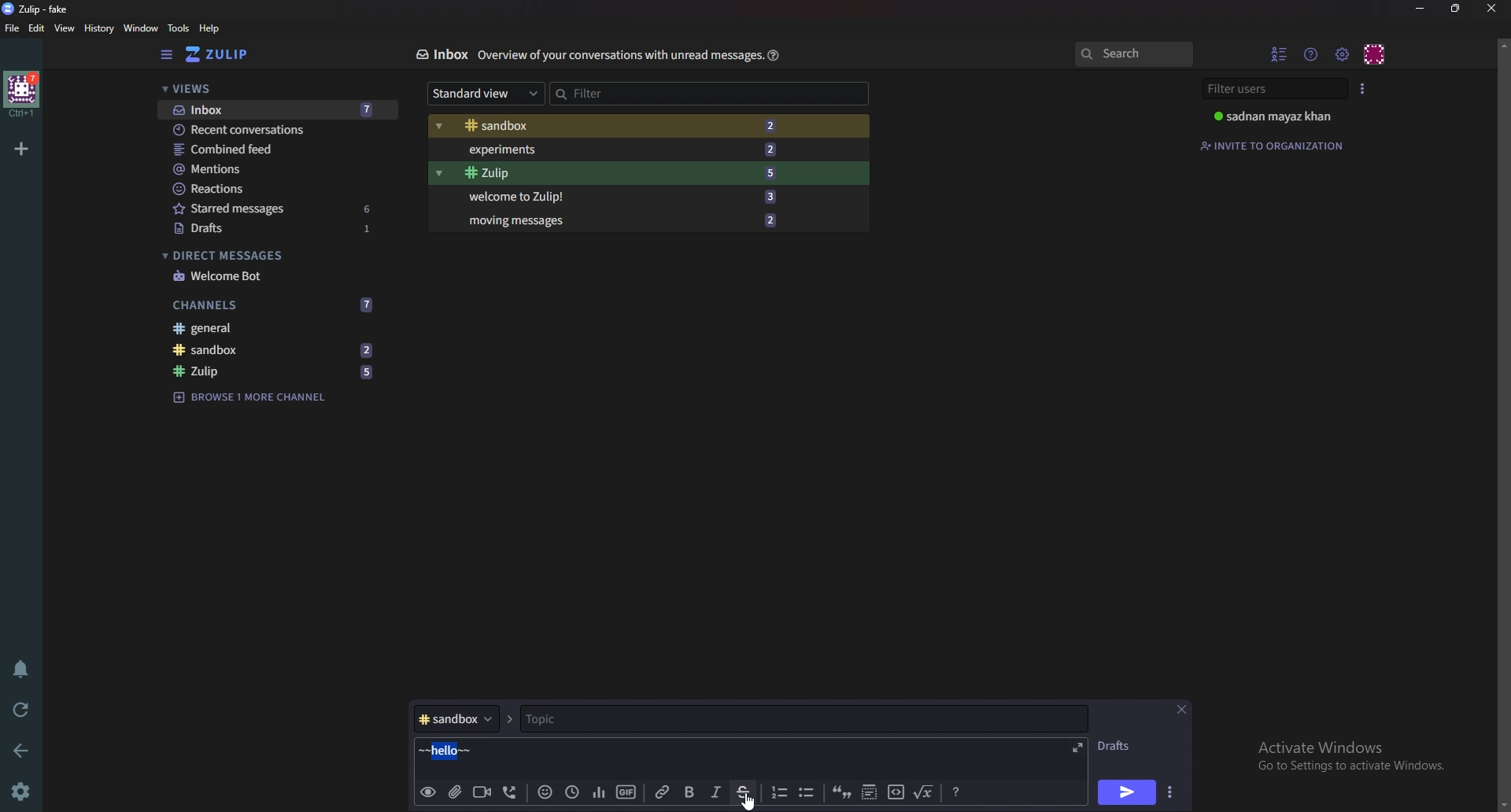 This screenshot has height=812, width=1511. I want to click on Drafts, so click(1119, 746).